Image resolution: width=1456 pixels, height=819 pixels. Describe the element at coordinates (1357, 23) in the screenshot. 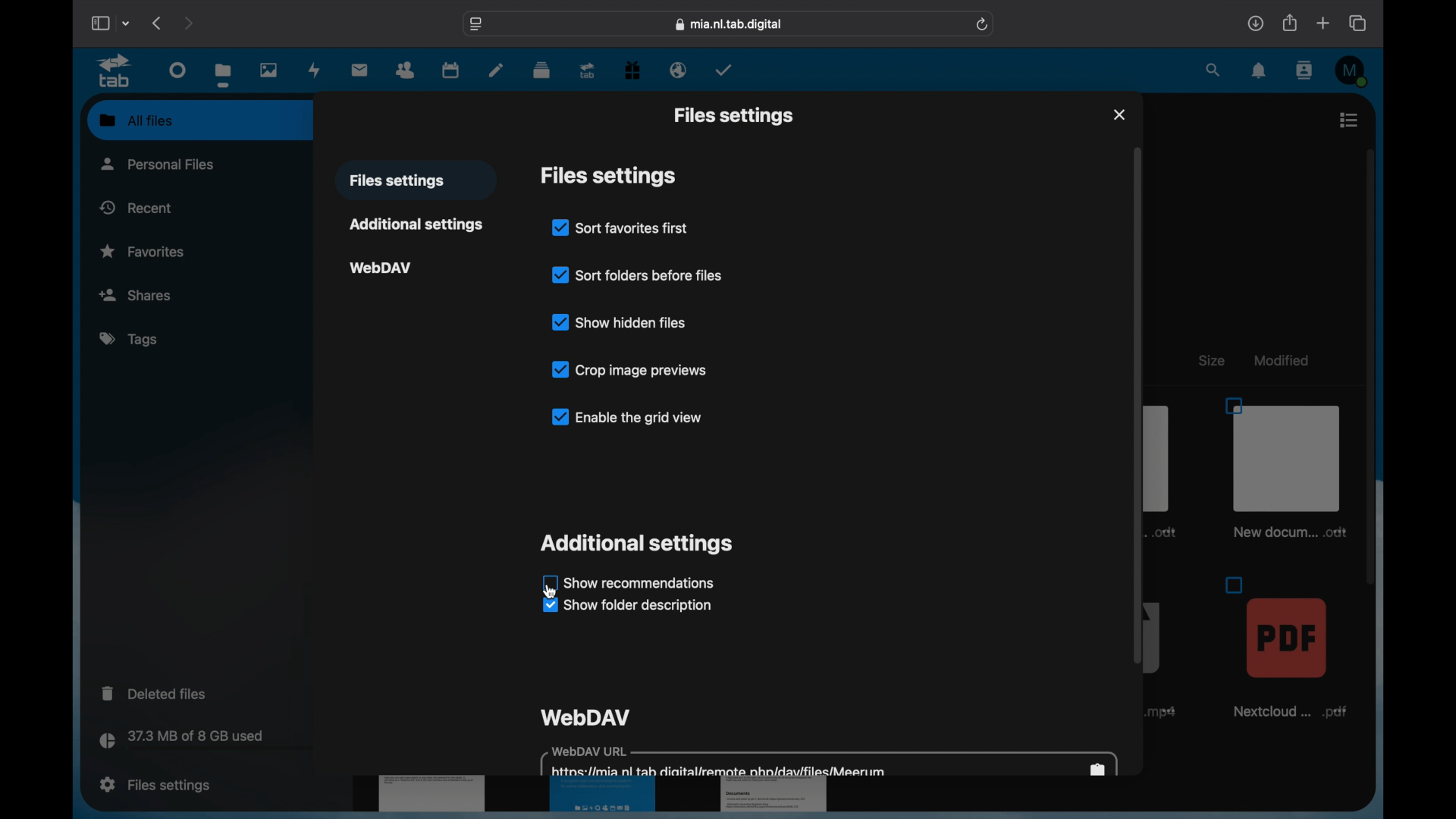

I see `show tab overview` at that location.